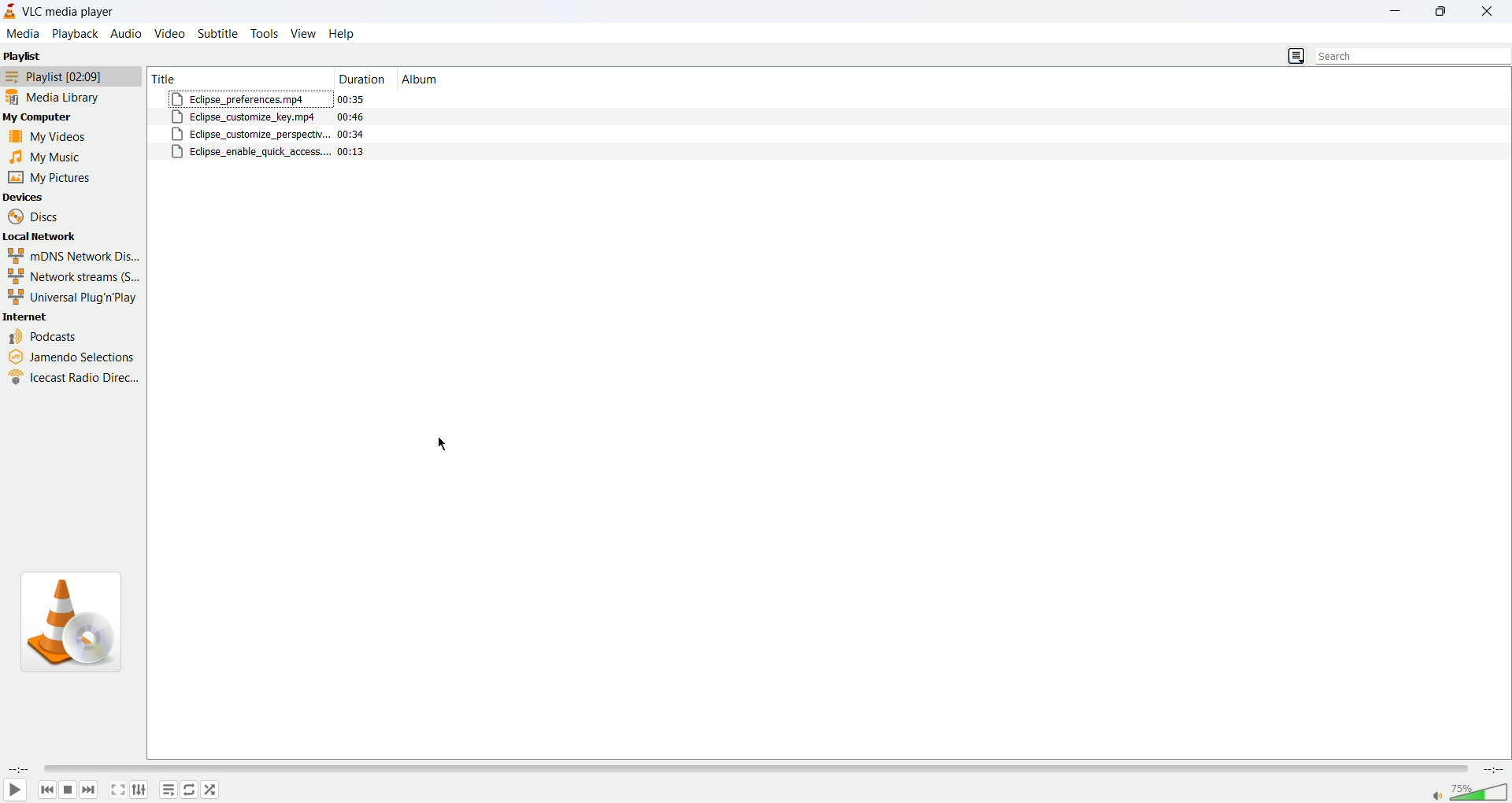 This screenshot has width=1512, height=803. I want to click on toggle fullscreen, so click(118, 790).